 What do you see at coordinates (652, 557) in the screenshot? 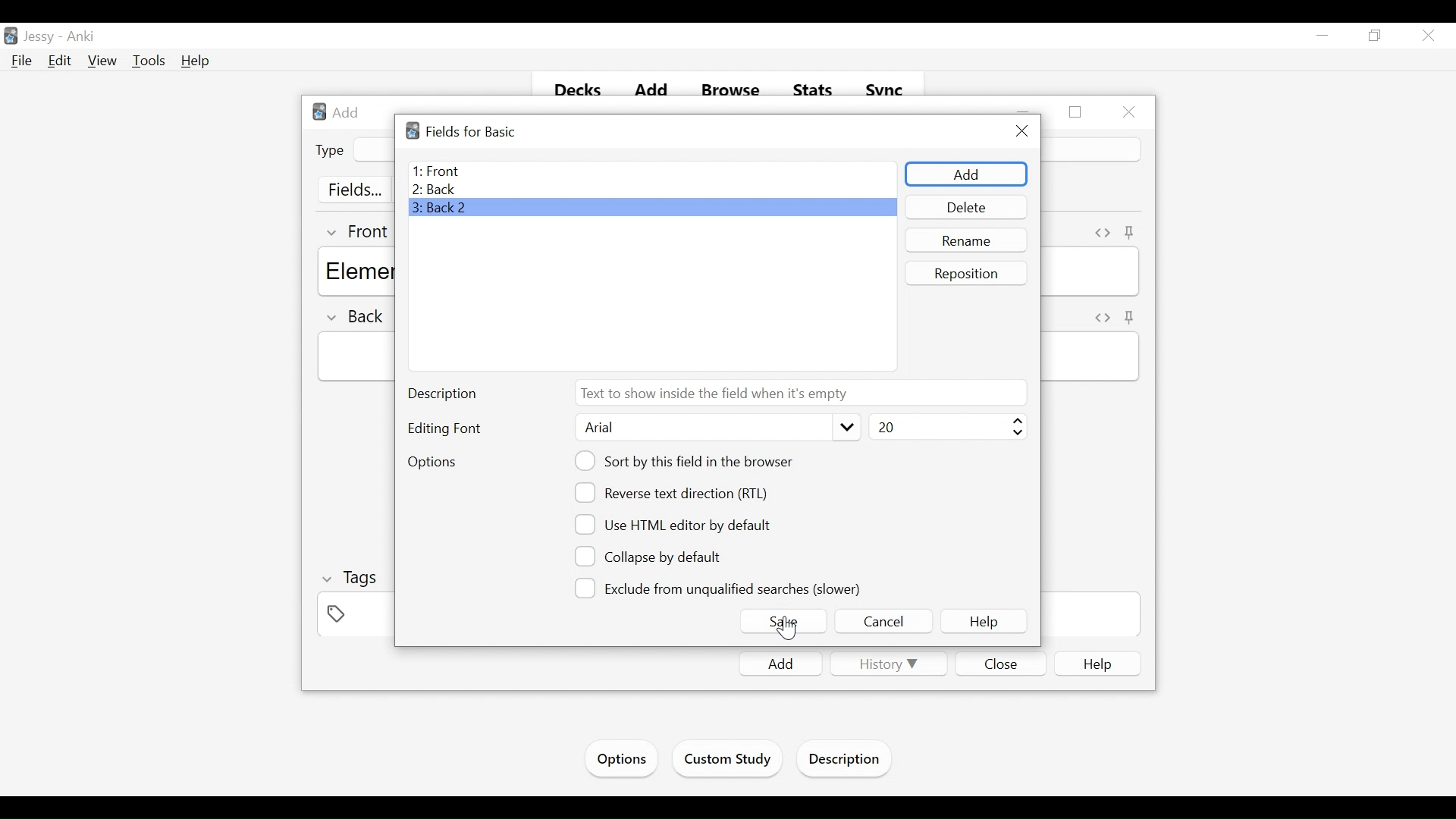
I see ` Collapse by Default` at bounding box center [652, 557].